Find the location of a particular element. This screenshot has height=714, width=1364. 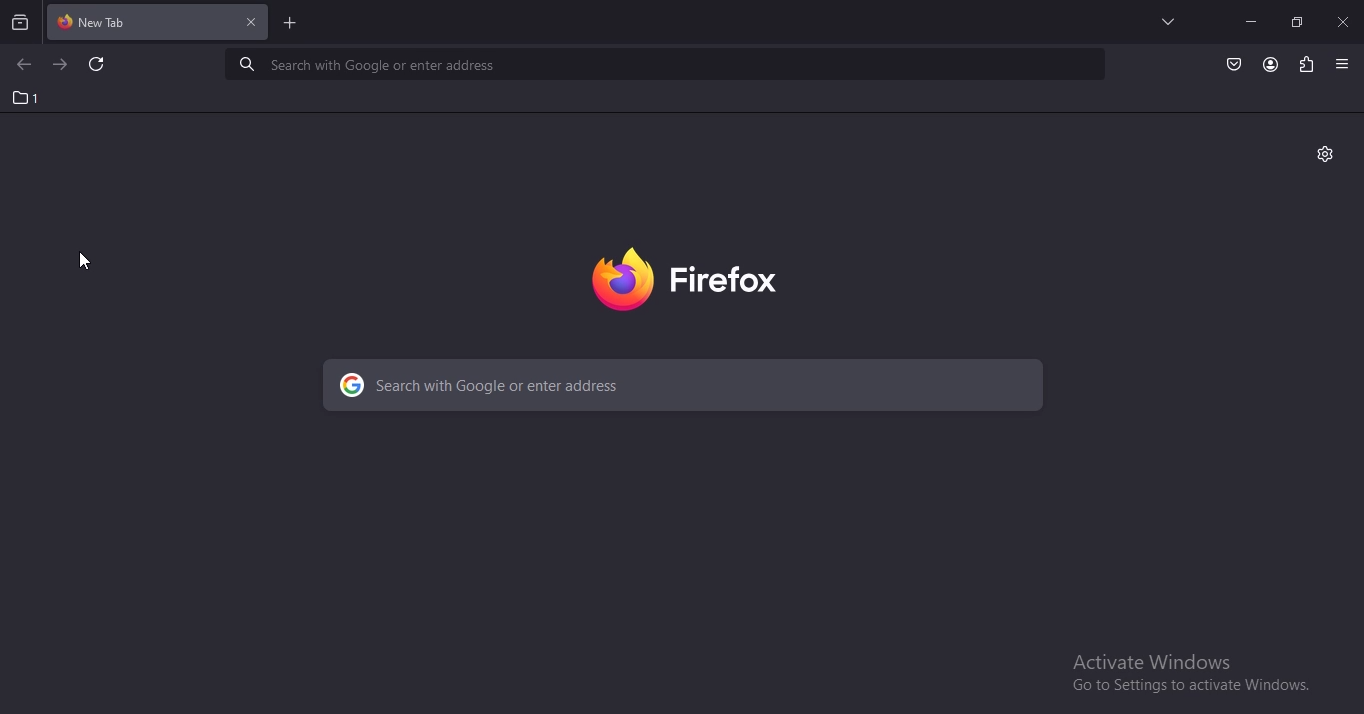

close is located at coordinates (251, 23).